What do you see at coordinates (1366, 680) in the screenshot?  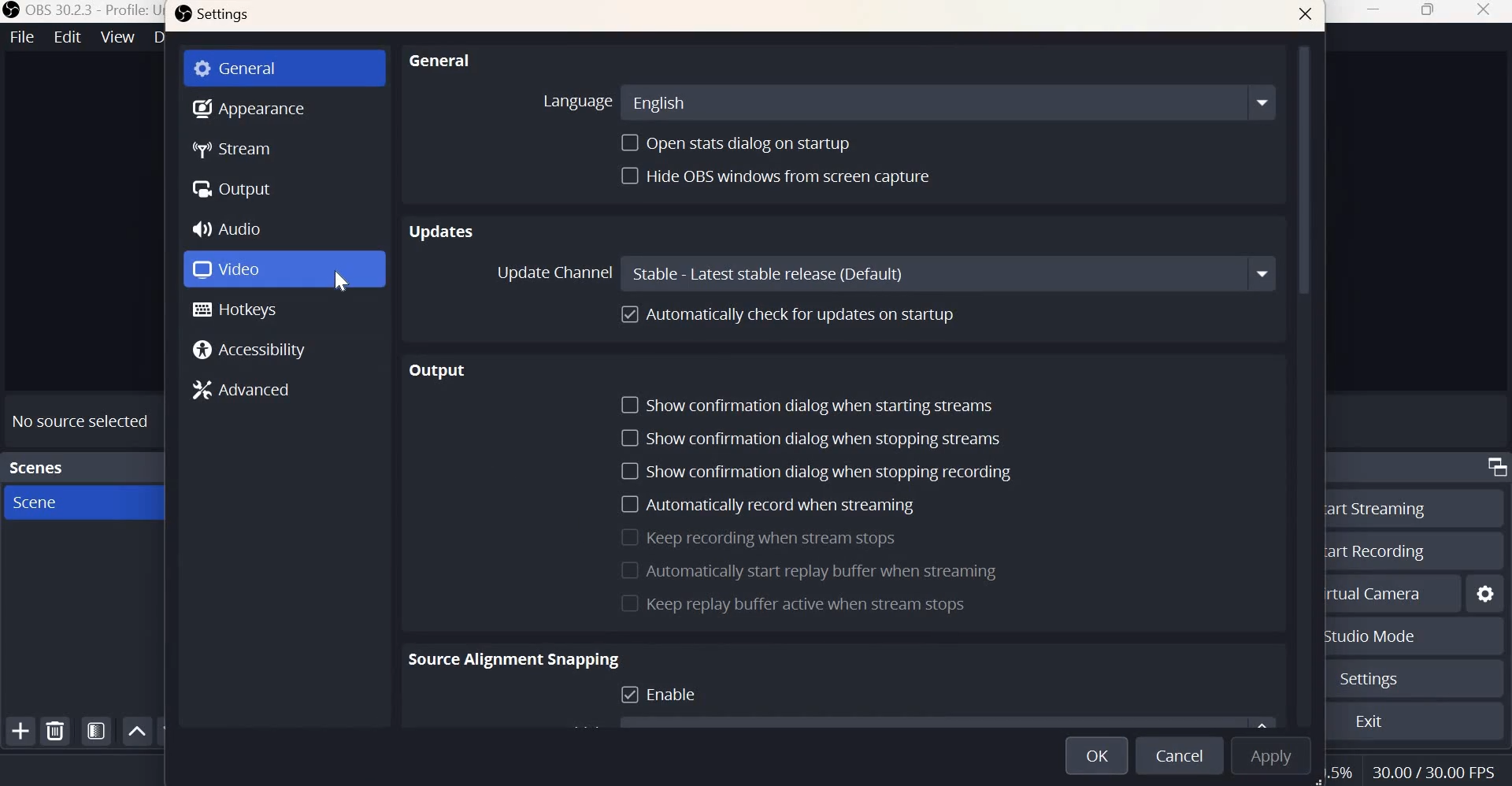 I see `Settings` at bounding box center [1366, 680].